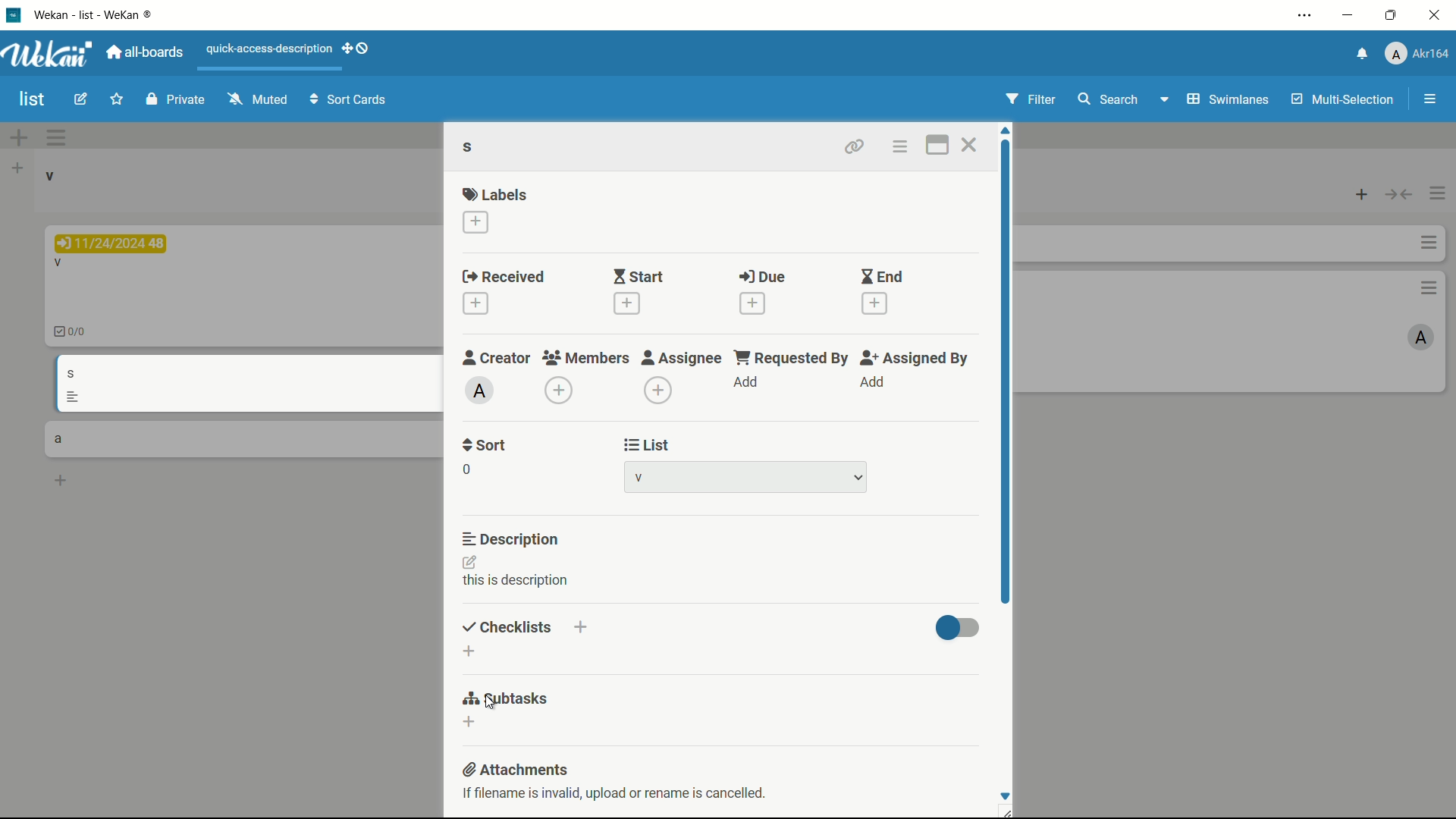 This screenshot has width=1456, height=819. What do you see at coordinates (939, 145) in the screenshot?
I see `maximize card` at bounding box center [939, 145].